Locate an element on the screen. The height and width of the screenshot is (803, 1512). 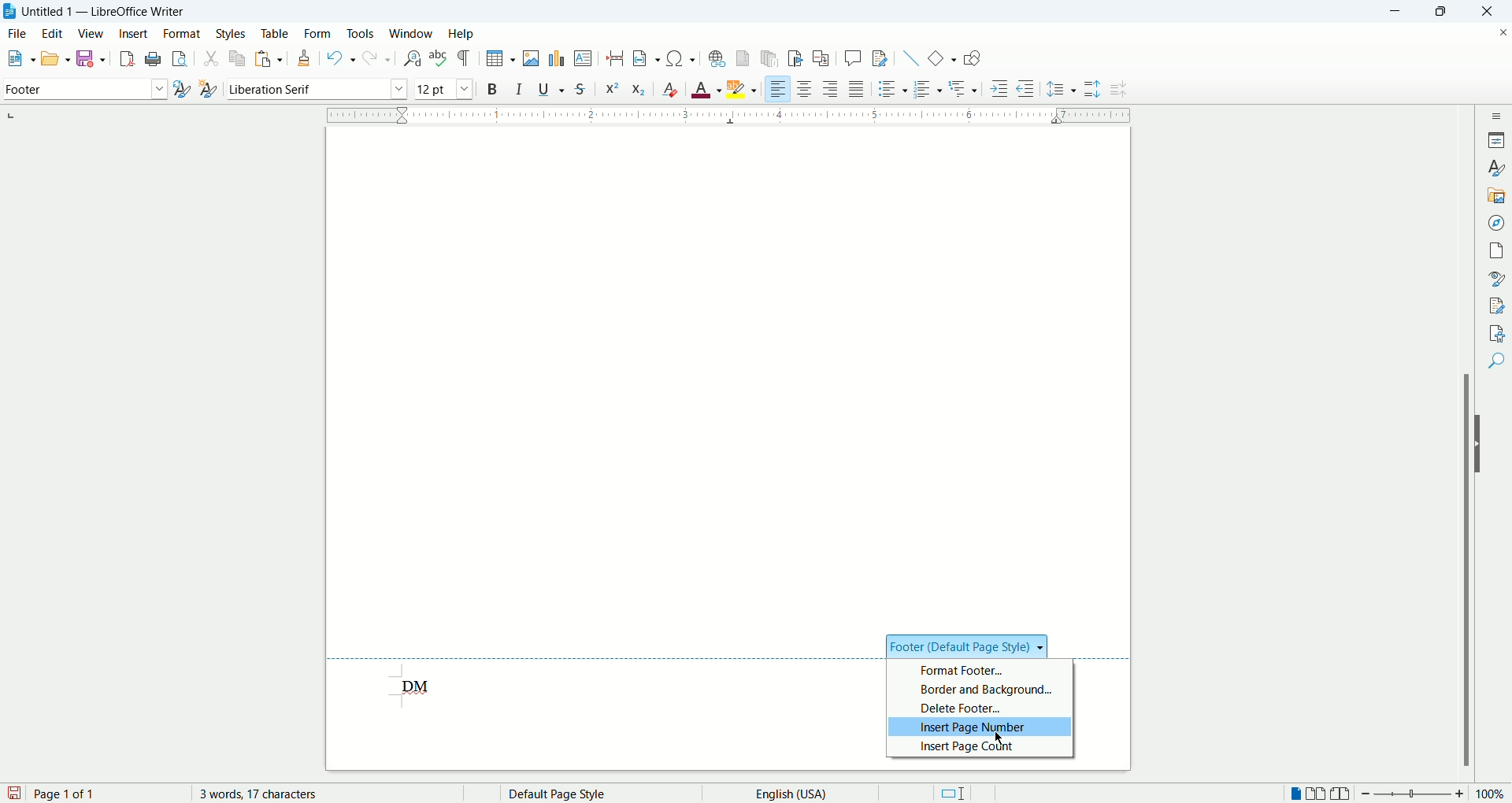
formatting marks is located at coordinates (467, 57).